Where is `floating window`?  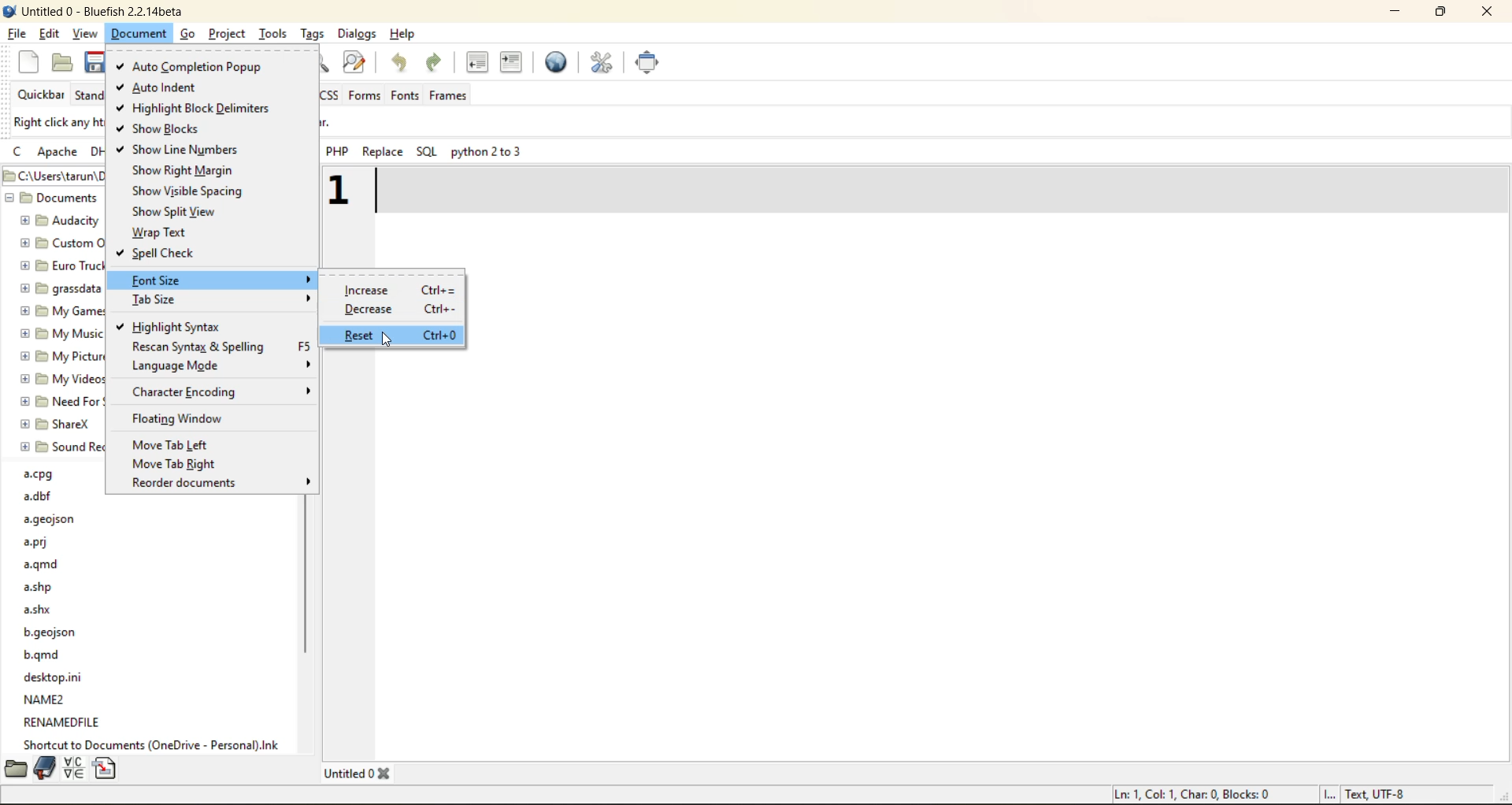
floating window is located at coordinates (183, 420).